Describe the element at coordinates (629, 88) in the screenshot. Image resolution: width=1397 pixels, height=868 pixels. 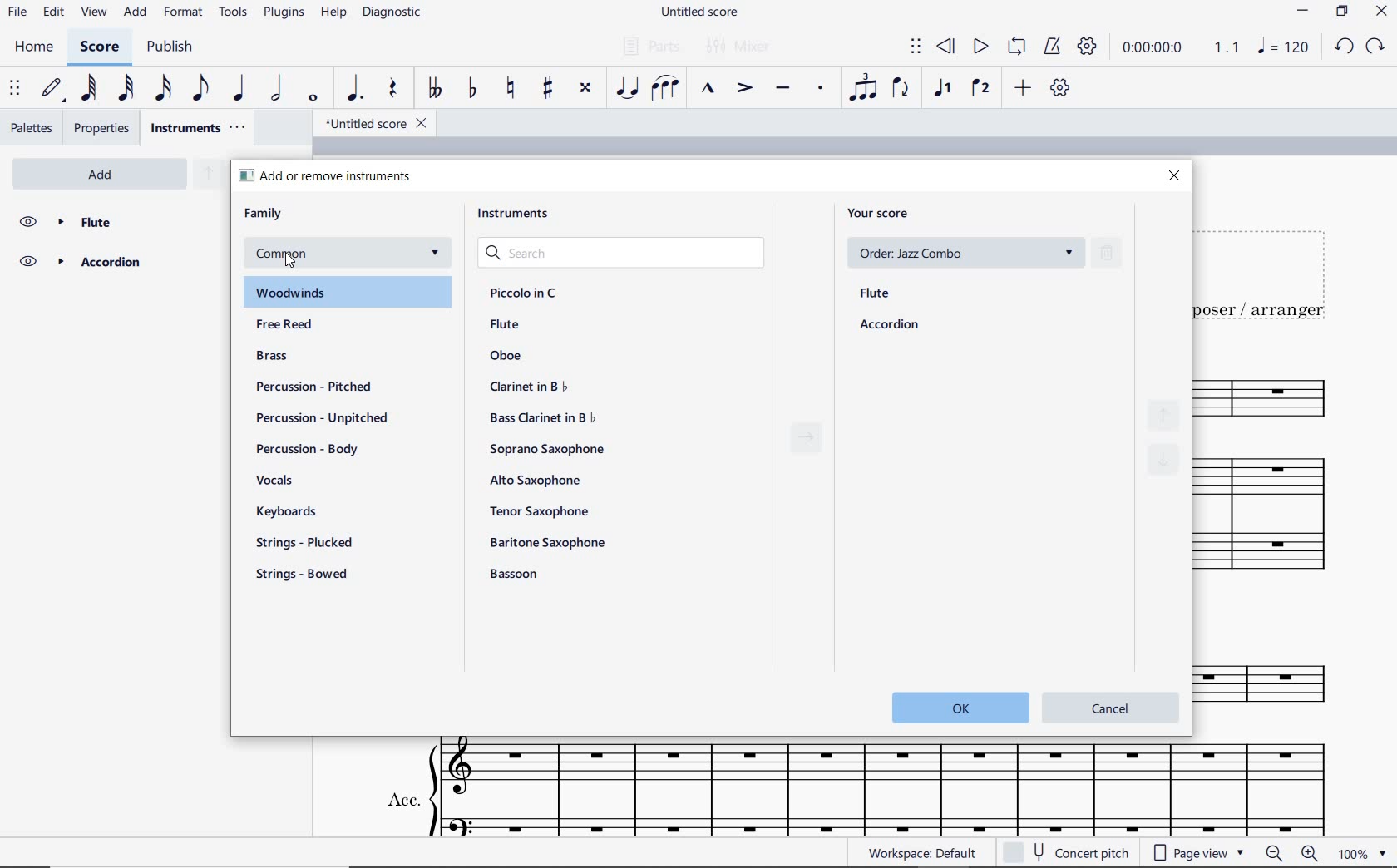
I see `tie` at that location.